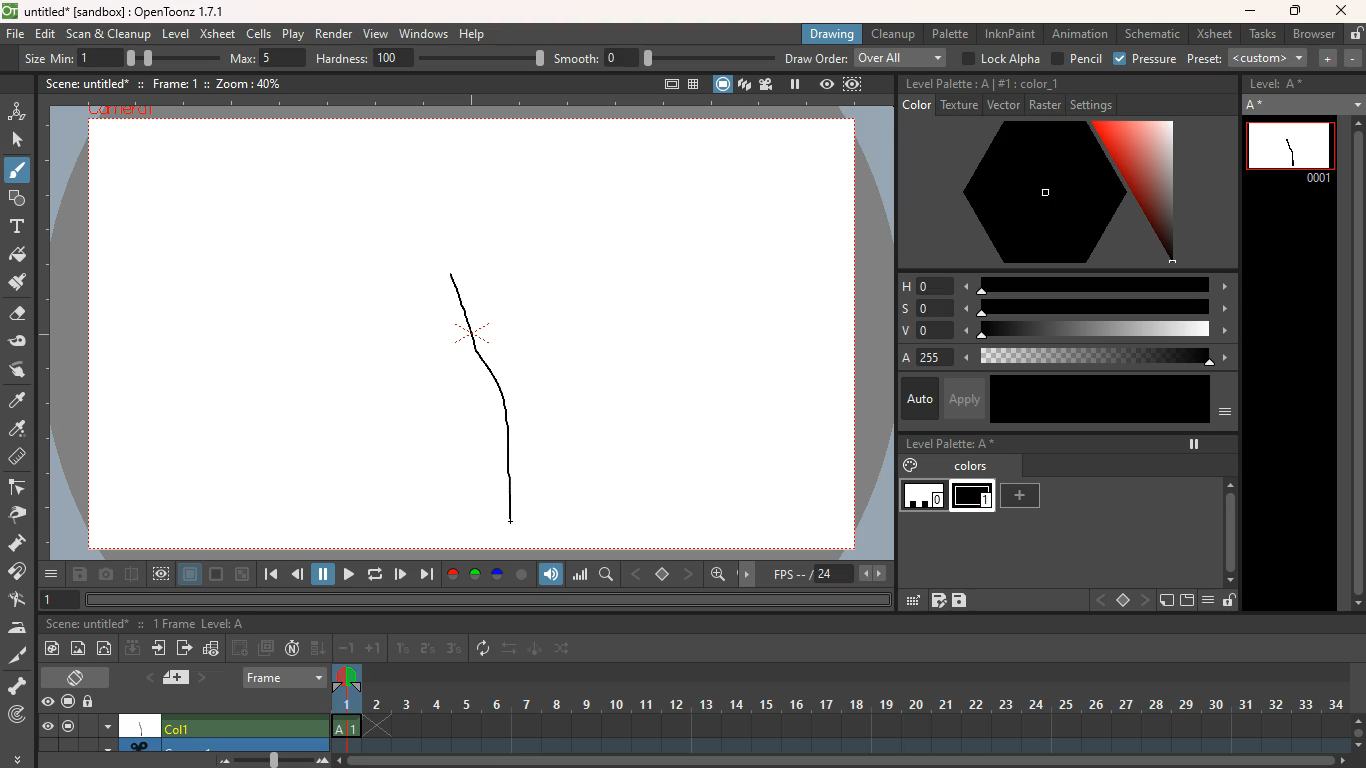 This screenshot has width=1366, height=768. I want to click on line, so click(484, 396).